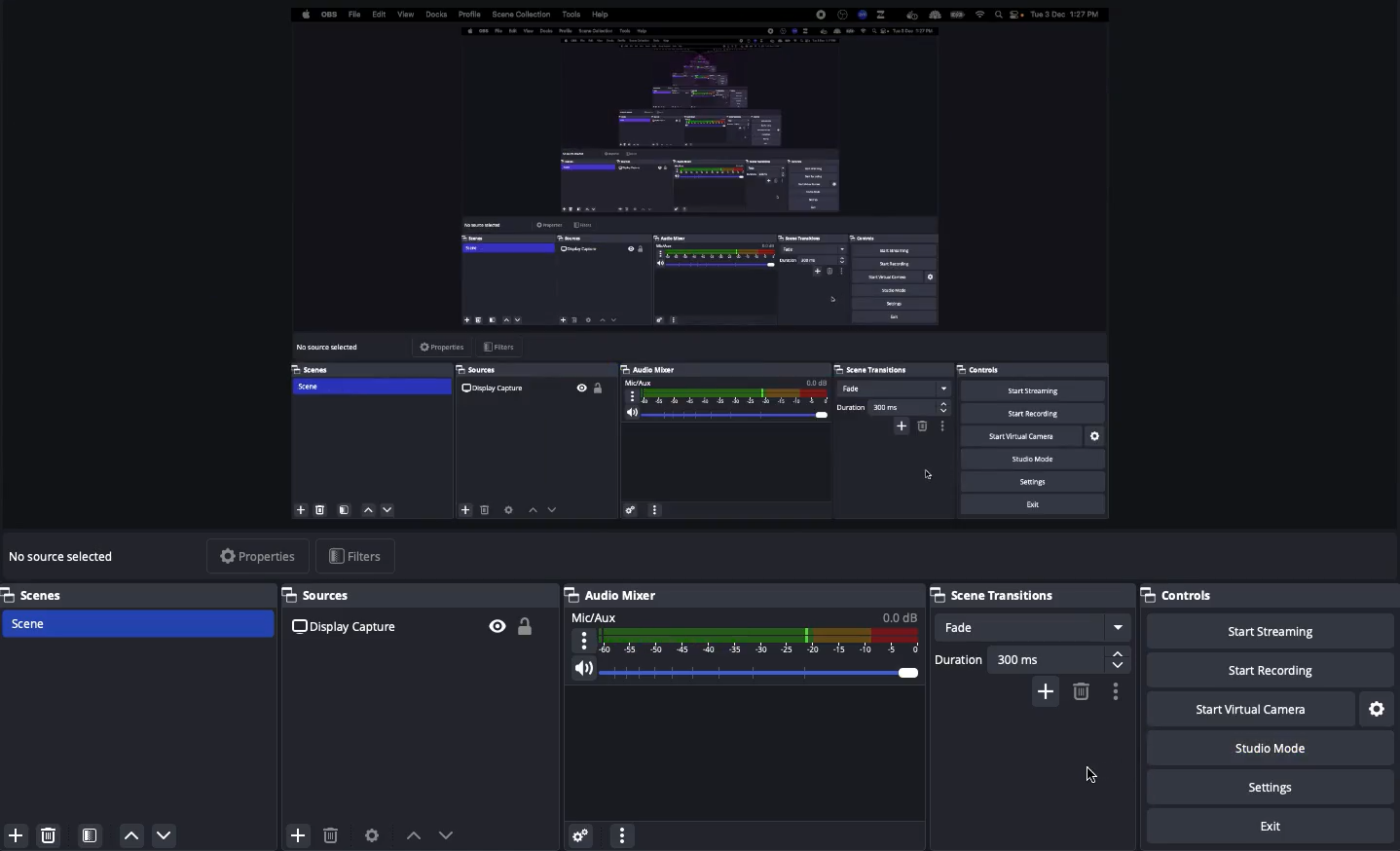 The width and height of the screenshot is (1400, 851). What do you see at coordinates (166, 835) in the screenshot?
I see `move down` at bounding box center [166, 835].